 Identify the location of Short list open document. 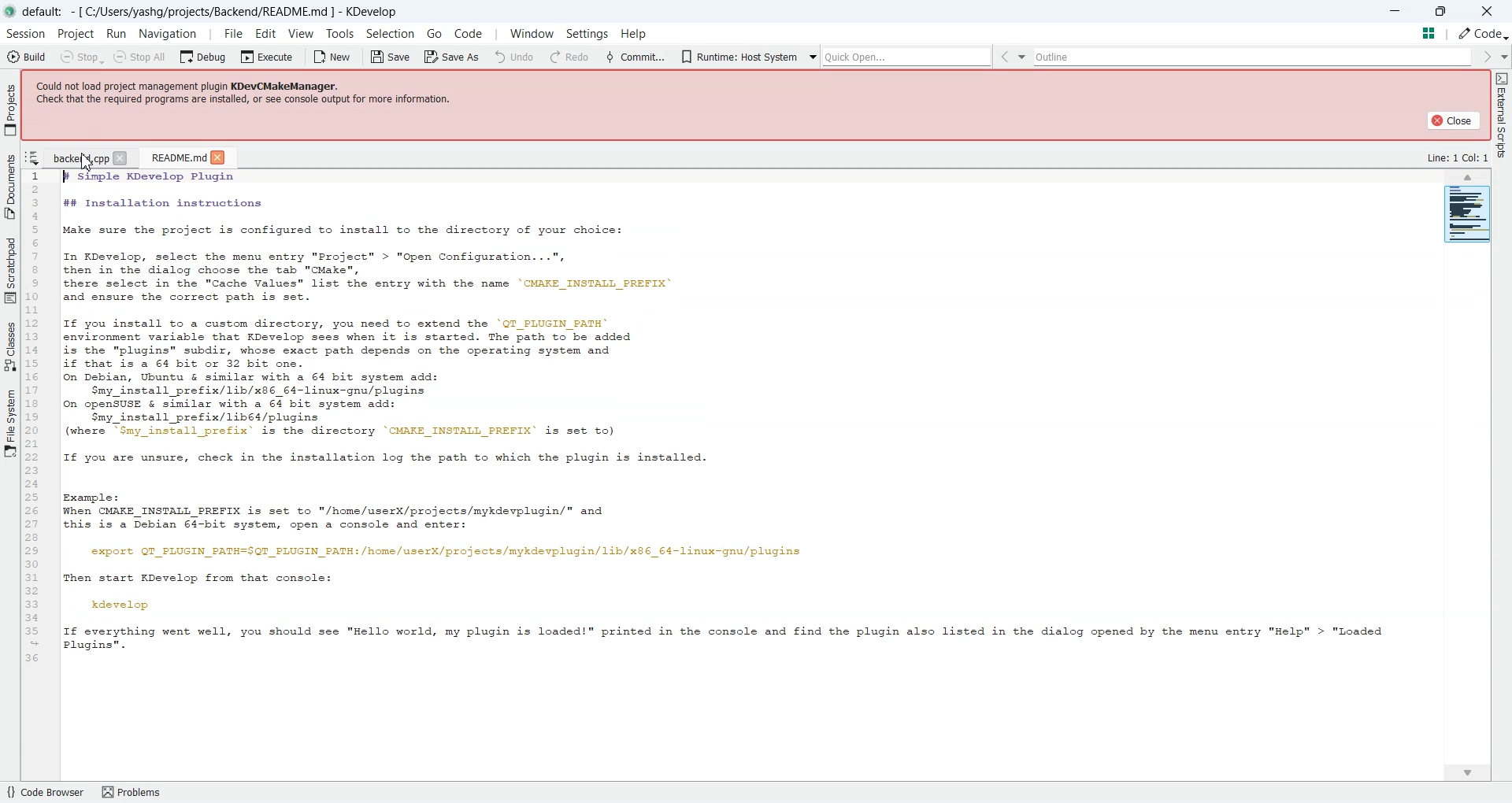
(32, 158).